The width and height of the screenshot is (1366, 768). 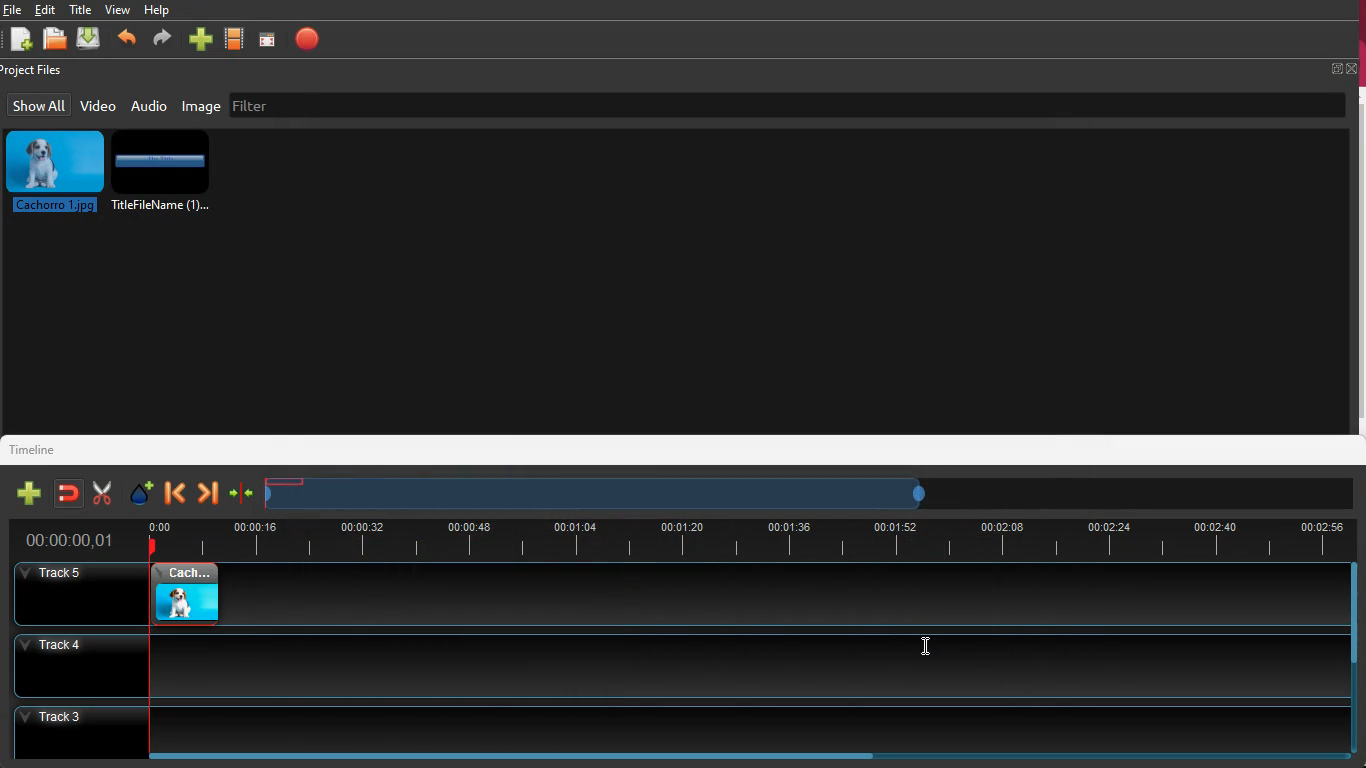 I want to click on view, so click(x=118, y=9).